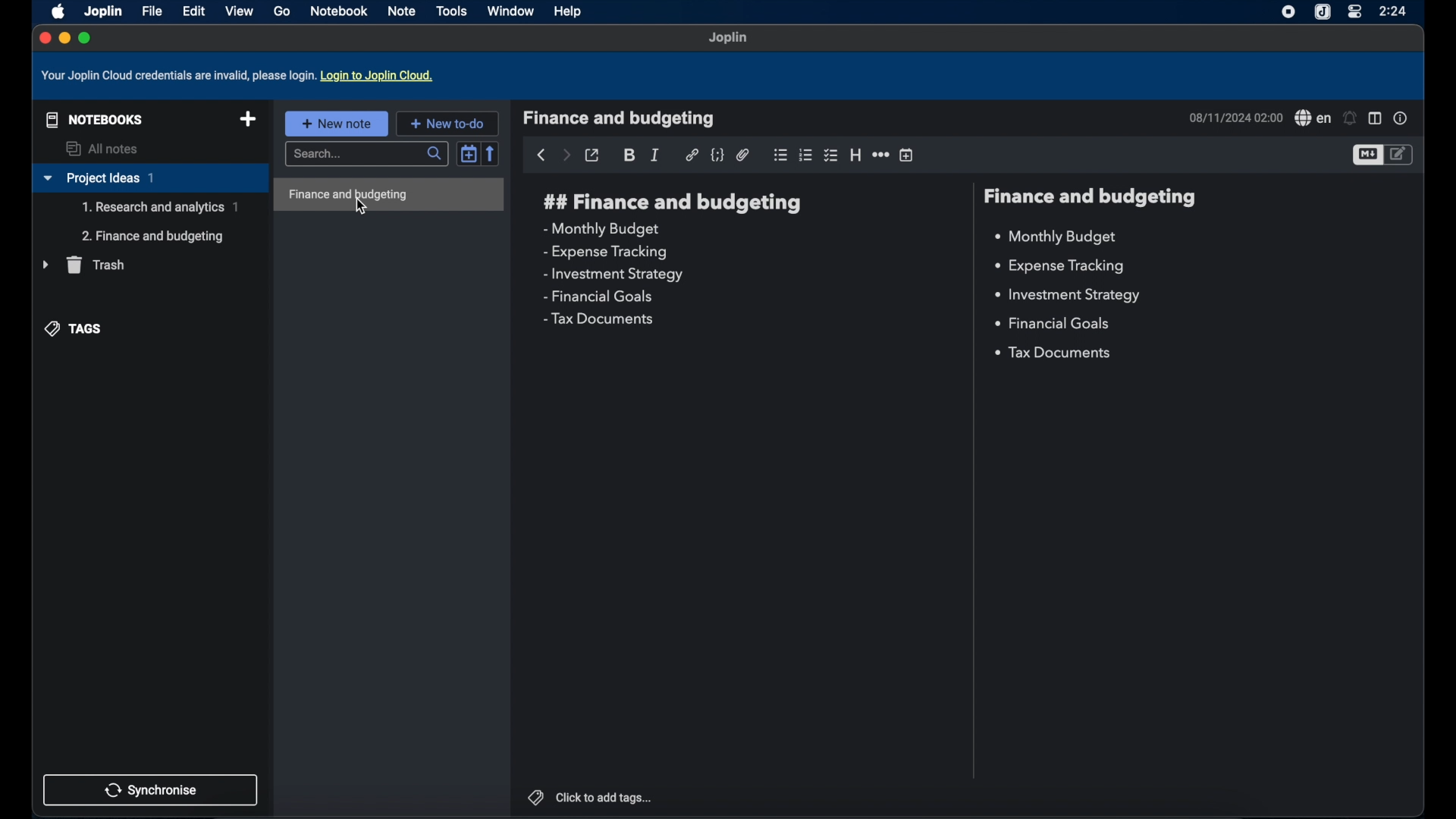 The width and height of the screenshot is (1456, 819). What do you see at coordinates (832, 155) in the screenshot?
I see `checkbox` at bounding box center [832, 155].